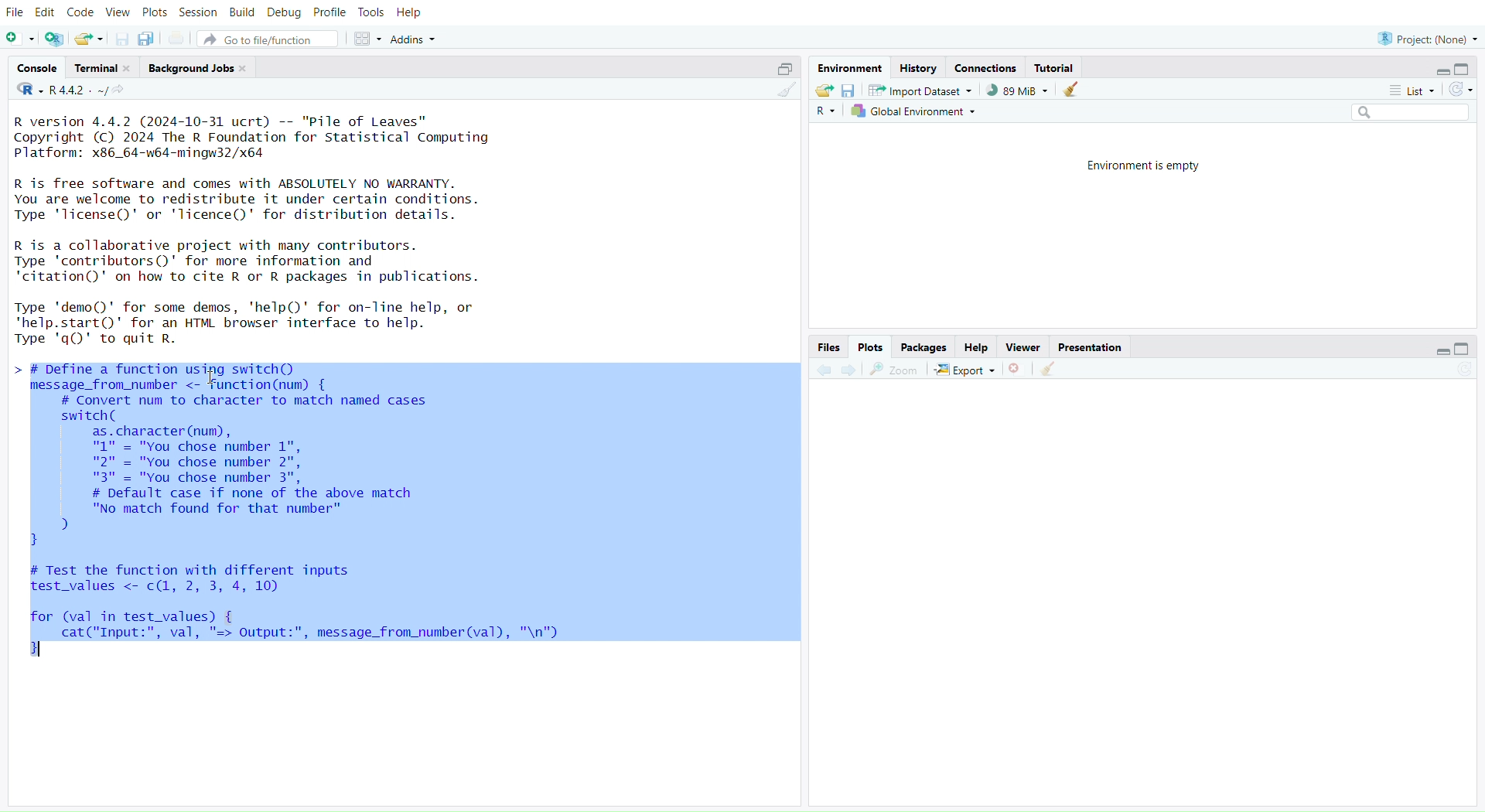  I want to click on Help, so click(417, 15).